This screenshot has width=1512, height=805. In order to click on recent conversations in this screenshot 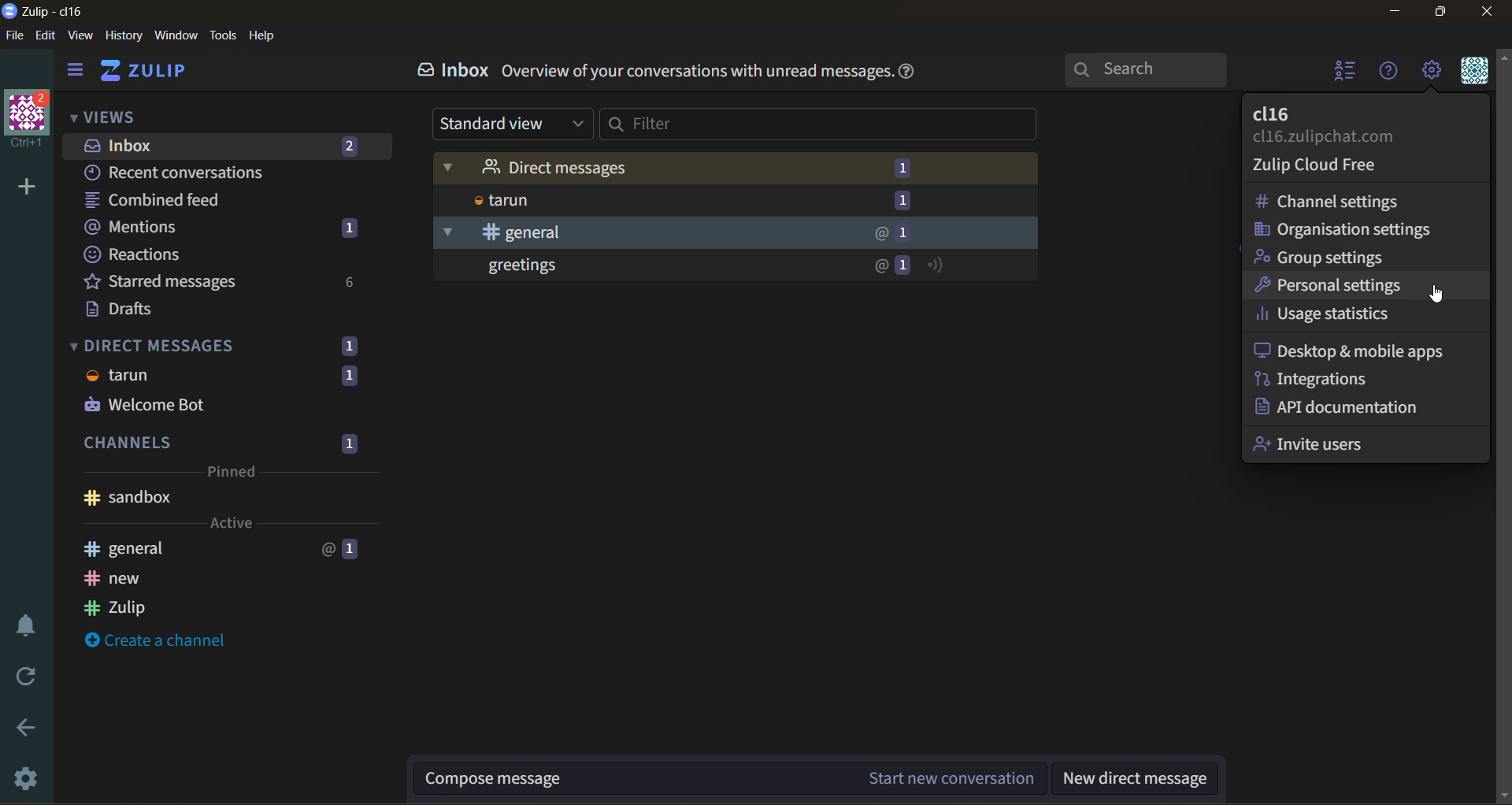, I will do `click(220, 173)`.